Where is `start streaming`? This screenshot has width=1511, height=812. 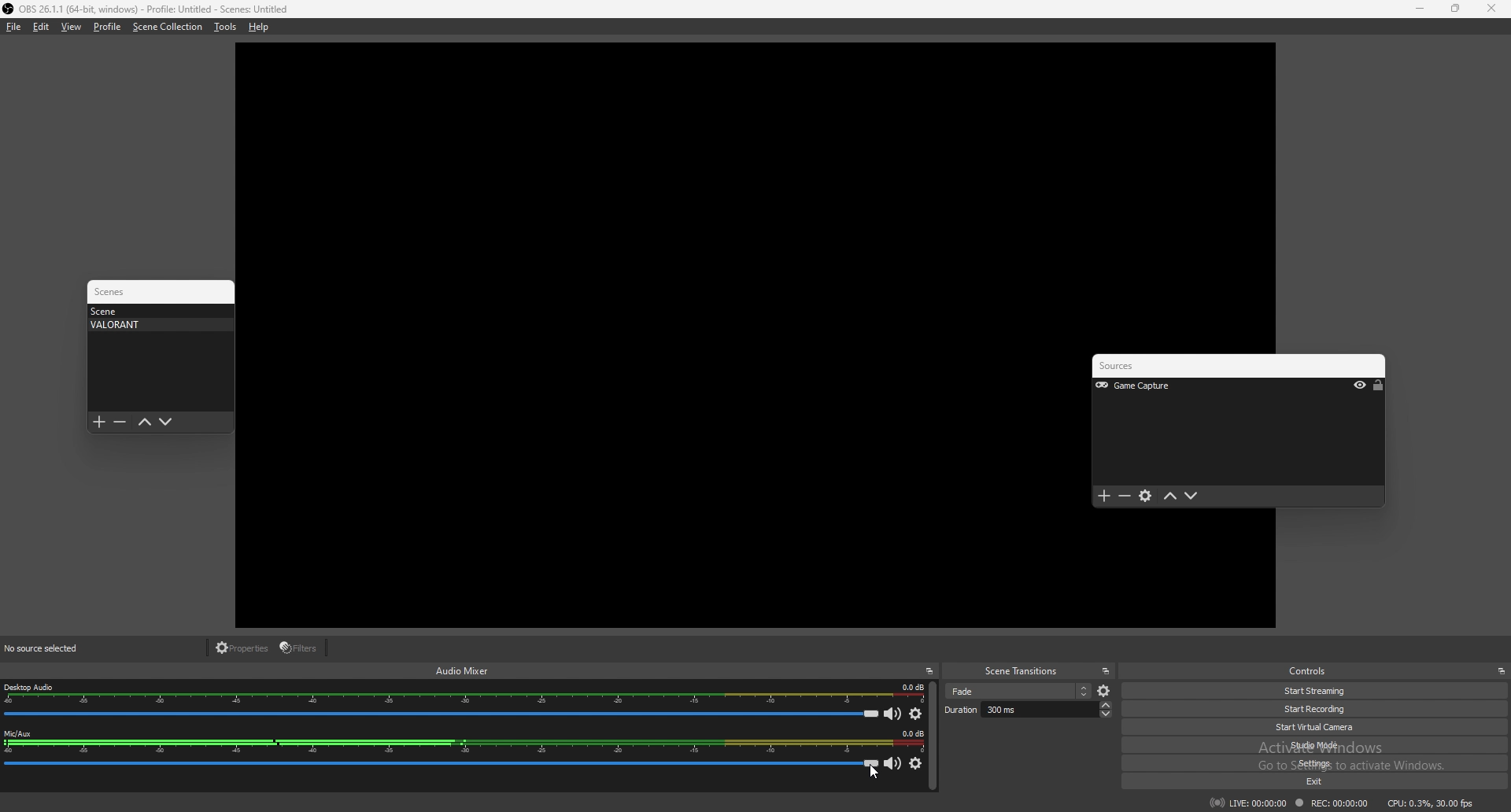 start streaming is located at coordinates (1316, 692).